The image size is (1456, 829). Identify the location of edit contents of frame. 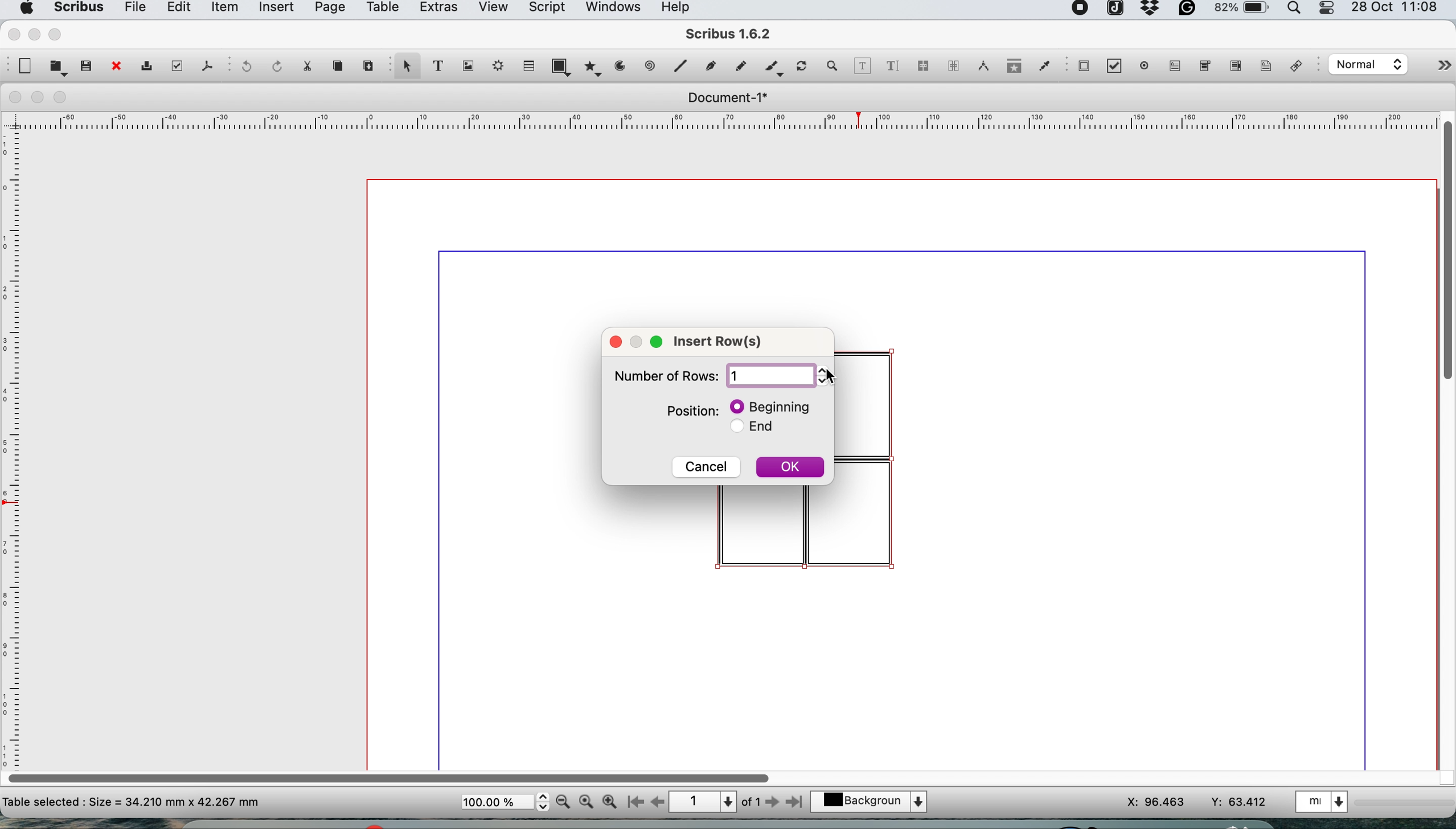
(862, 65).